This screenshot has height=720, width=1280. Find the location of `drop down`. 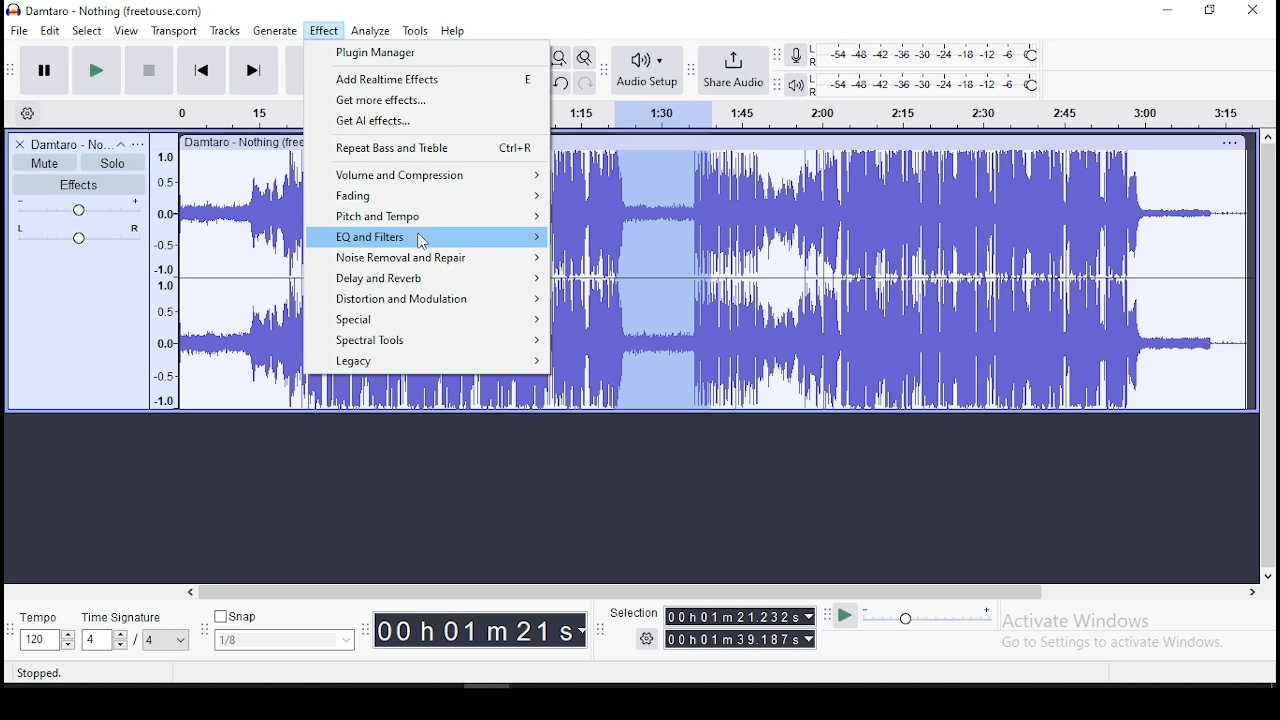

drop down is located at coordinates (182, 640).